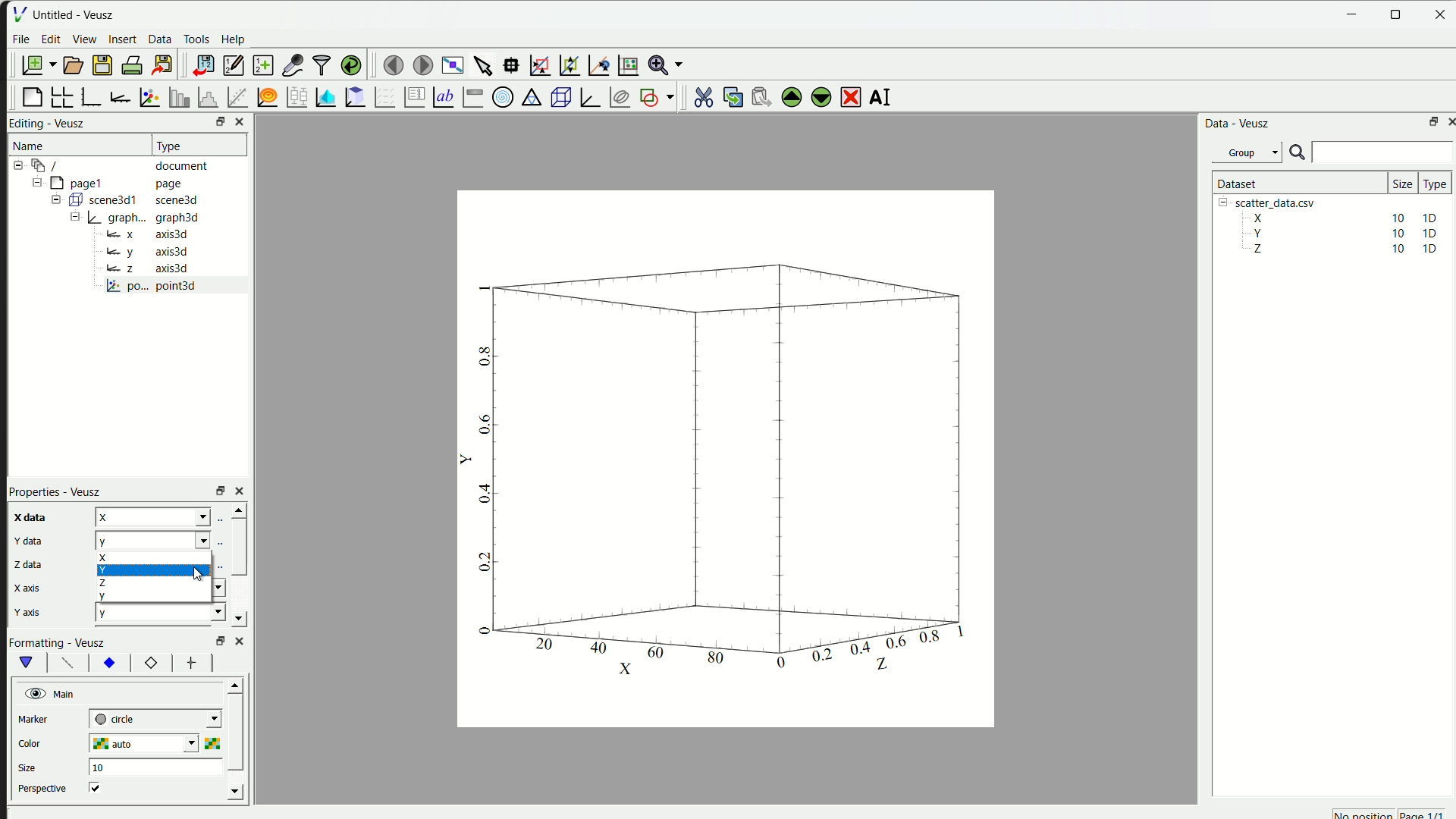 The height and width of the screenshot is (819, 1456). Describe the element at coordinates (118, 96) in the screenshot. I see `add axis to plot` at that location.